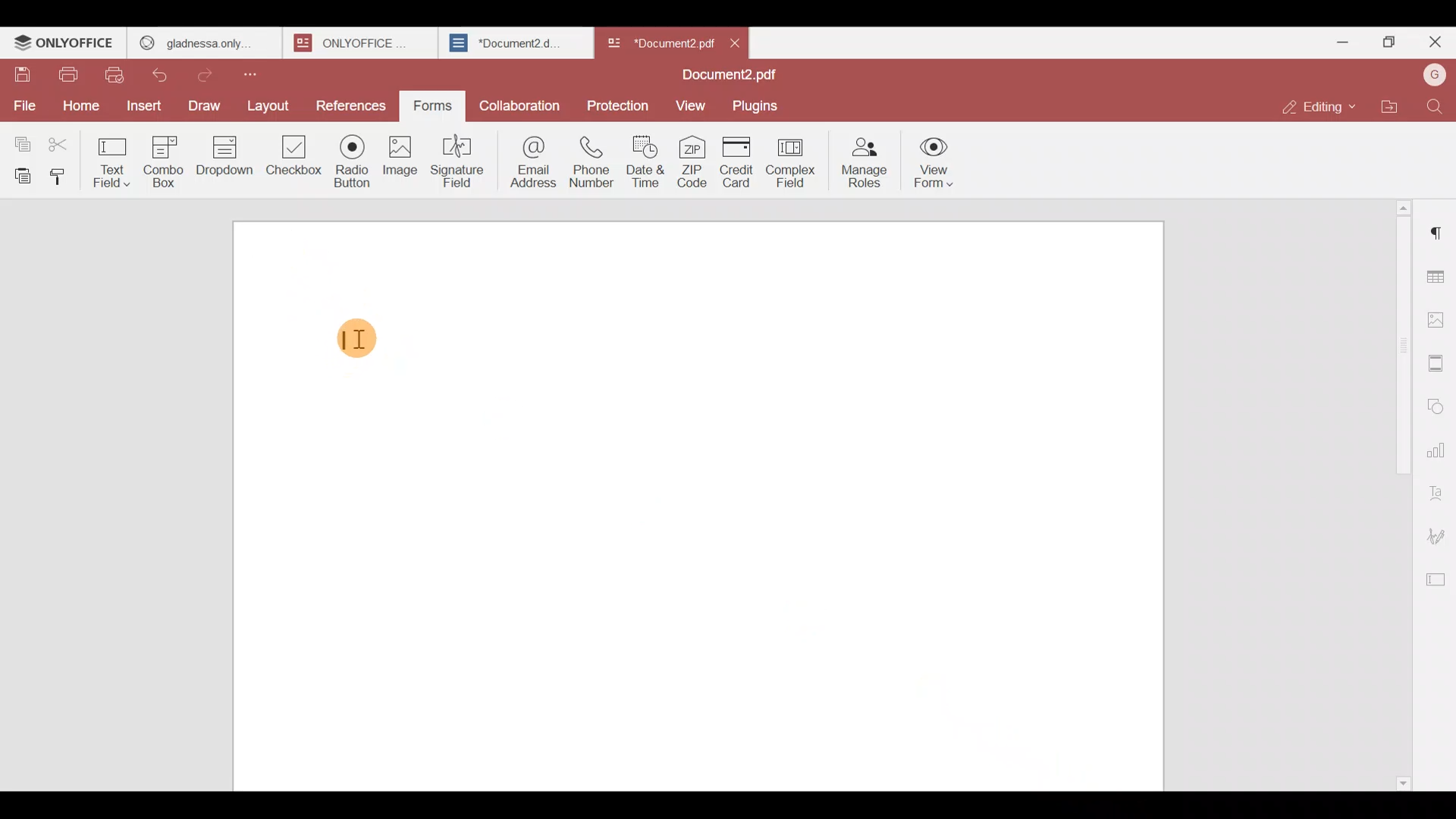 The image size is (1456, 819). What do you see at coordinates (1434, 45) in the screenshot?
I see `Close` at bounding box center [1434, 45].